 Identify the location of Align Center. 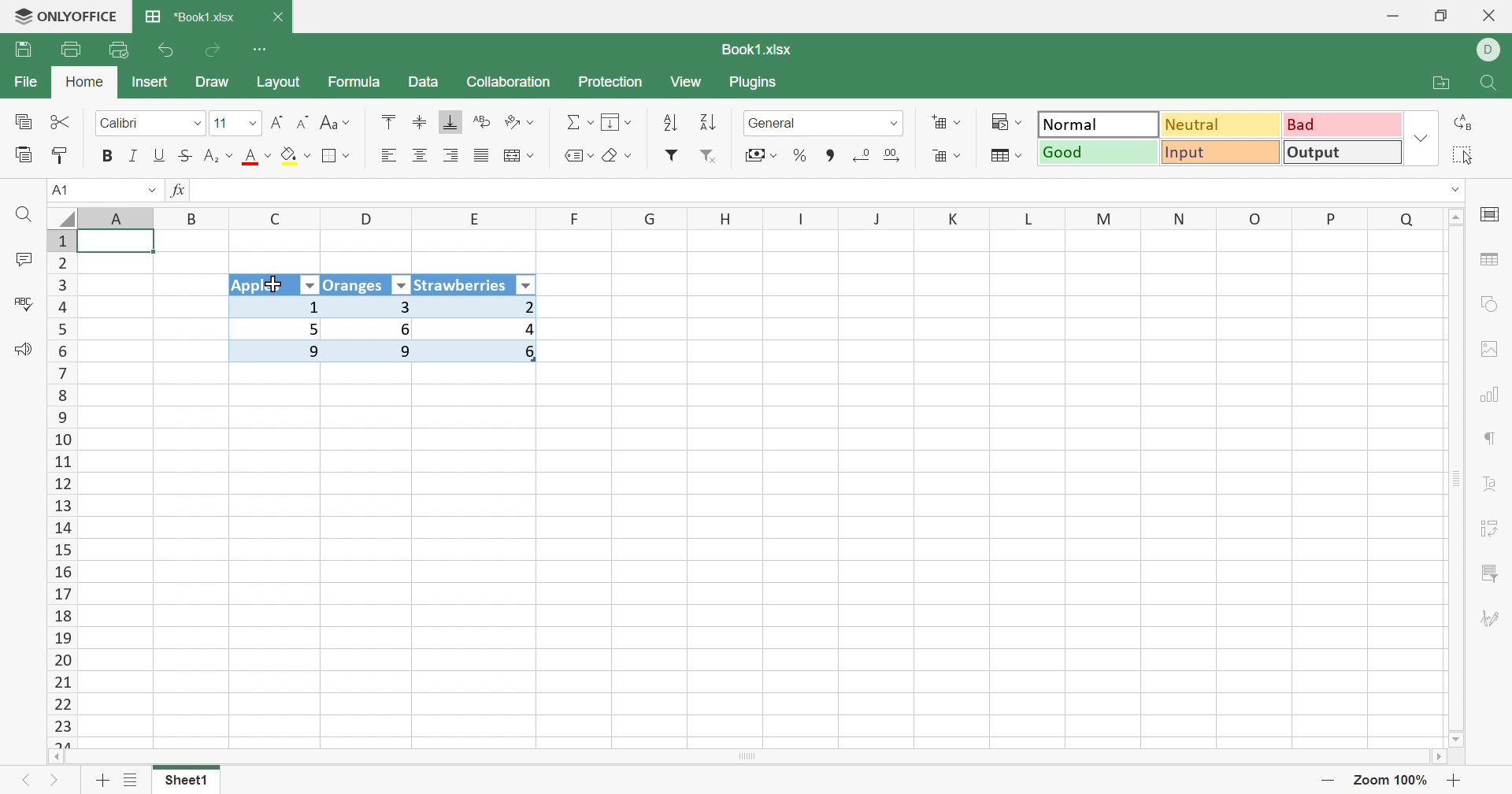
(420, 156).